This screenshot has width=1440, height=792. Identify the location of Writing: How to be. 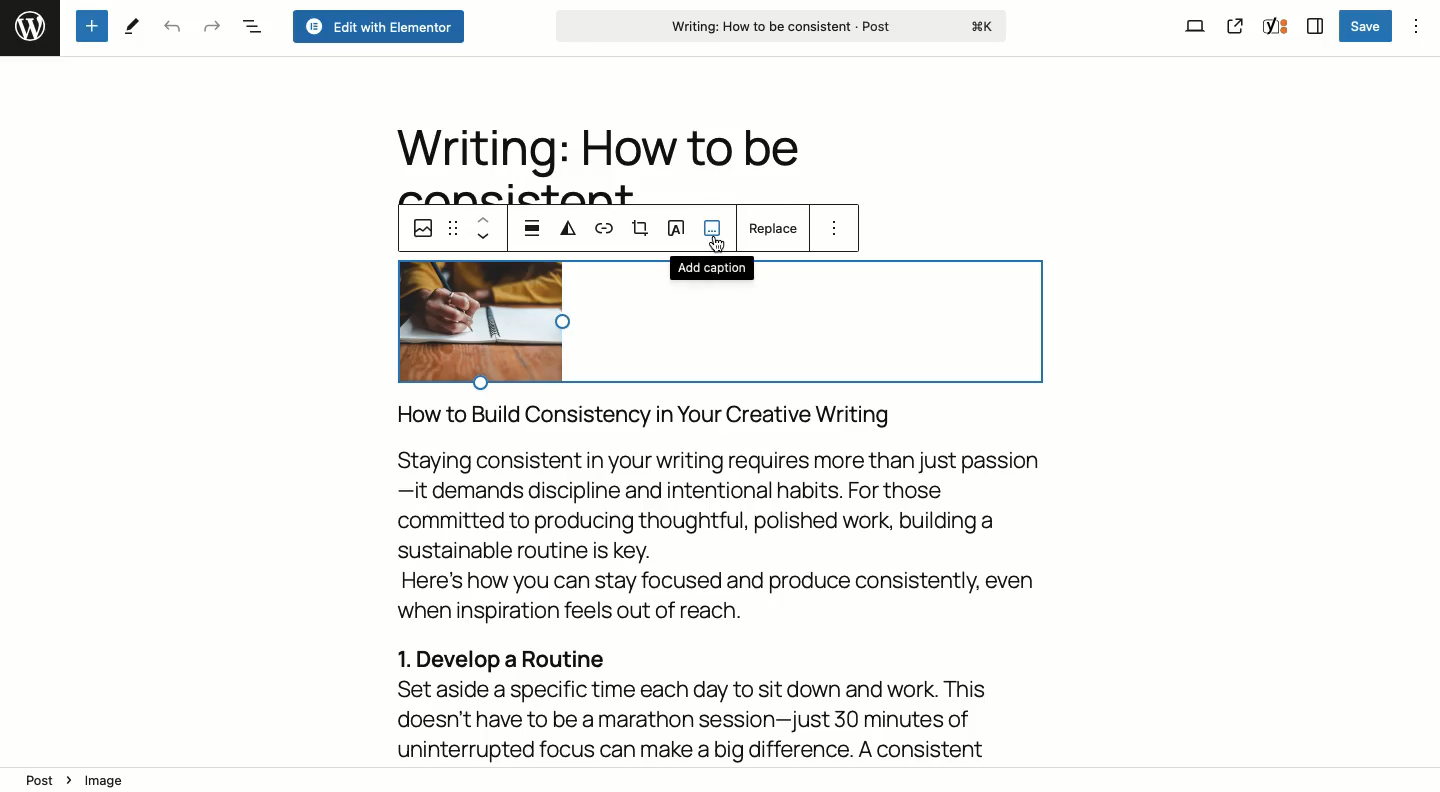
(595, 149).